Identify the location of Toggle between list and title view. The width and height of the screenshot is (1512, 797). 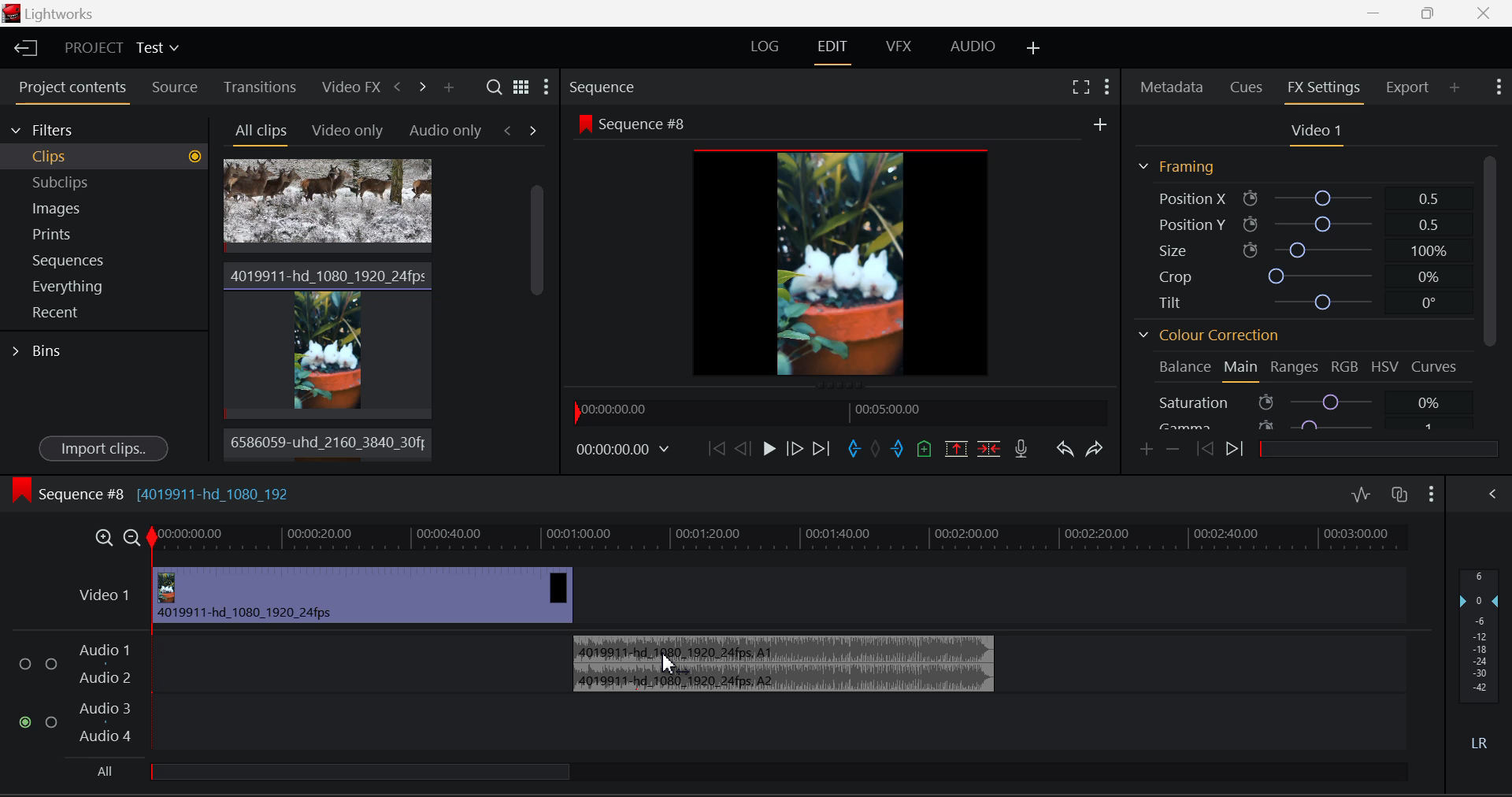
(521, 86).